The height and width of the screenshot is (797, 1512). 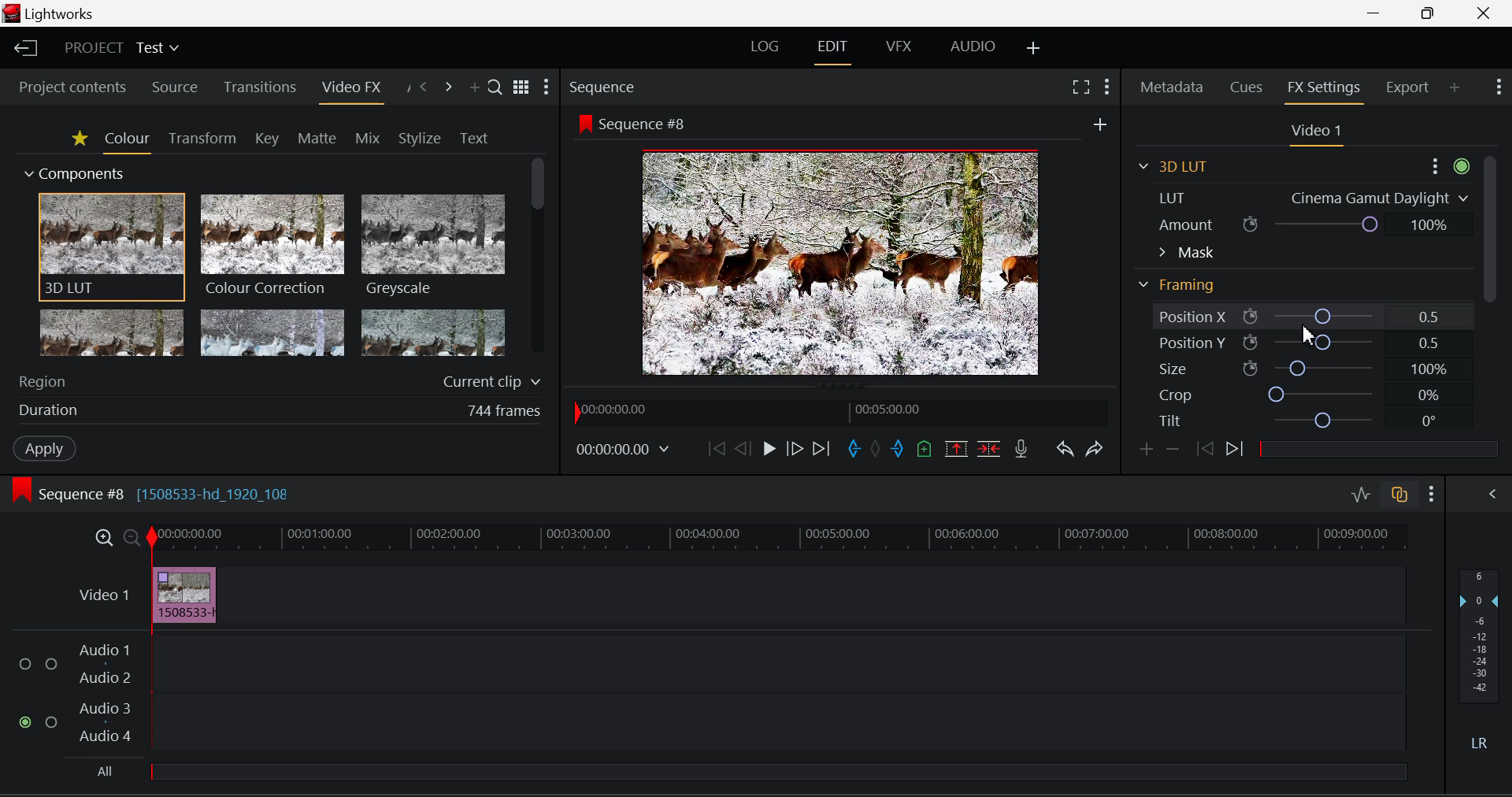 I want to click on Metadata, so click(x=1170, y=87).